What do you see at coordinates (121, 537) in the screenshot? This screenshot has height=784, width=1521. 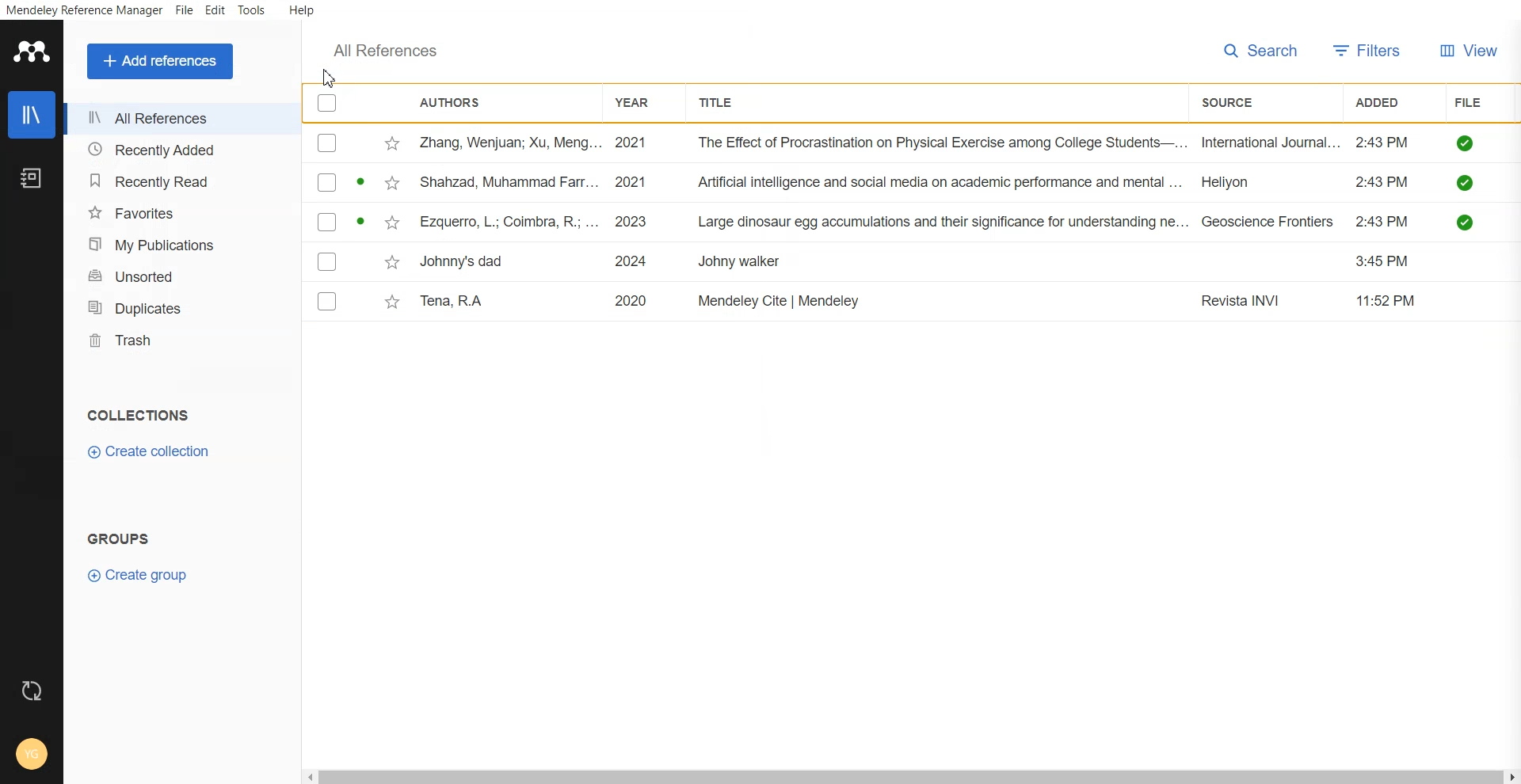 I see `Text` at bounding box center [121, 537].